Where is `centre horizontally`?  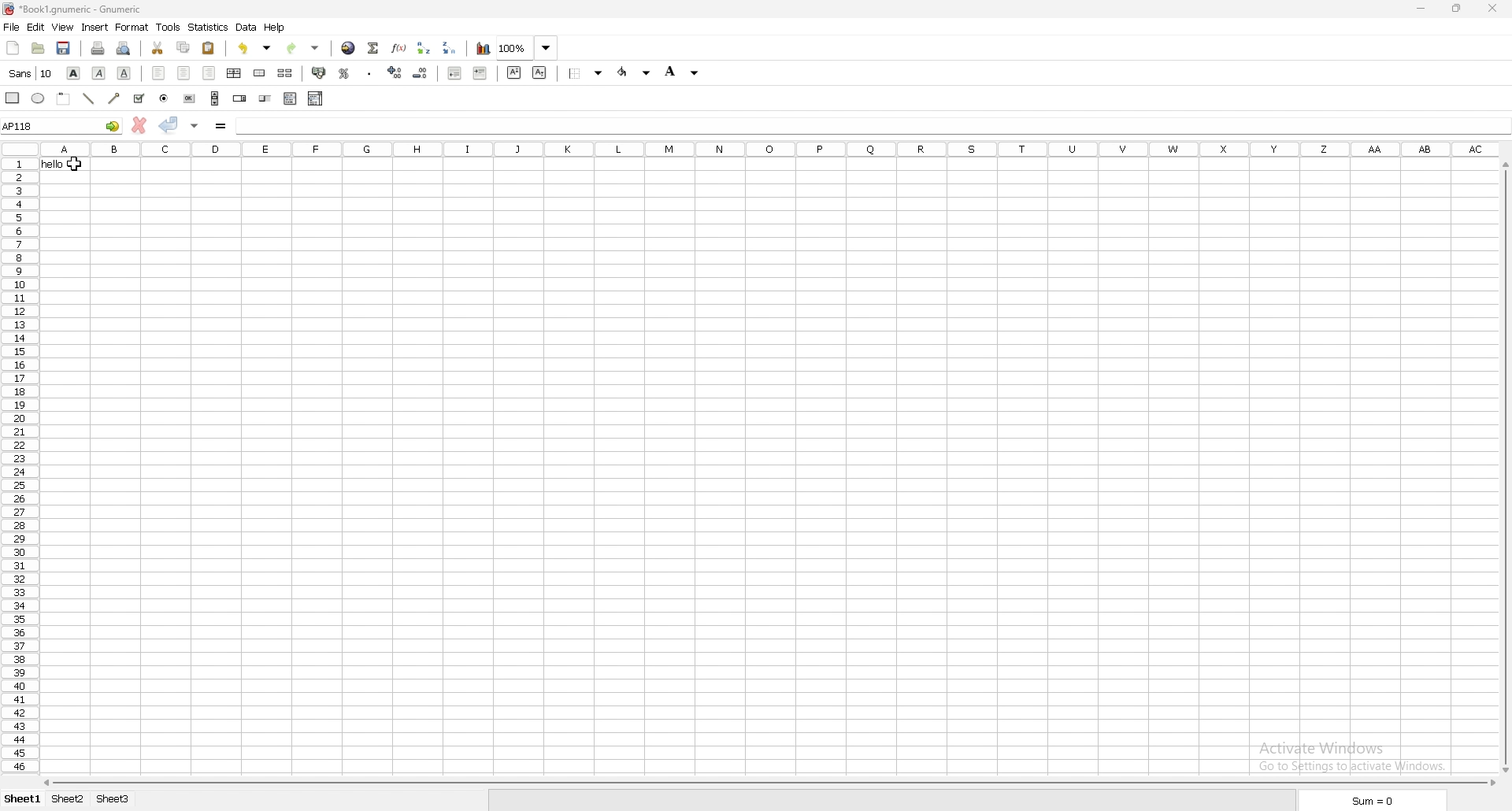 centre horizontally is located at coordinates (235, 72).